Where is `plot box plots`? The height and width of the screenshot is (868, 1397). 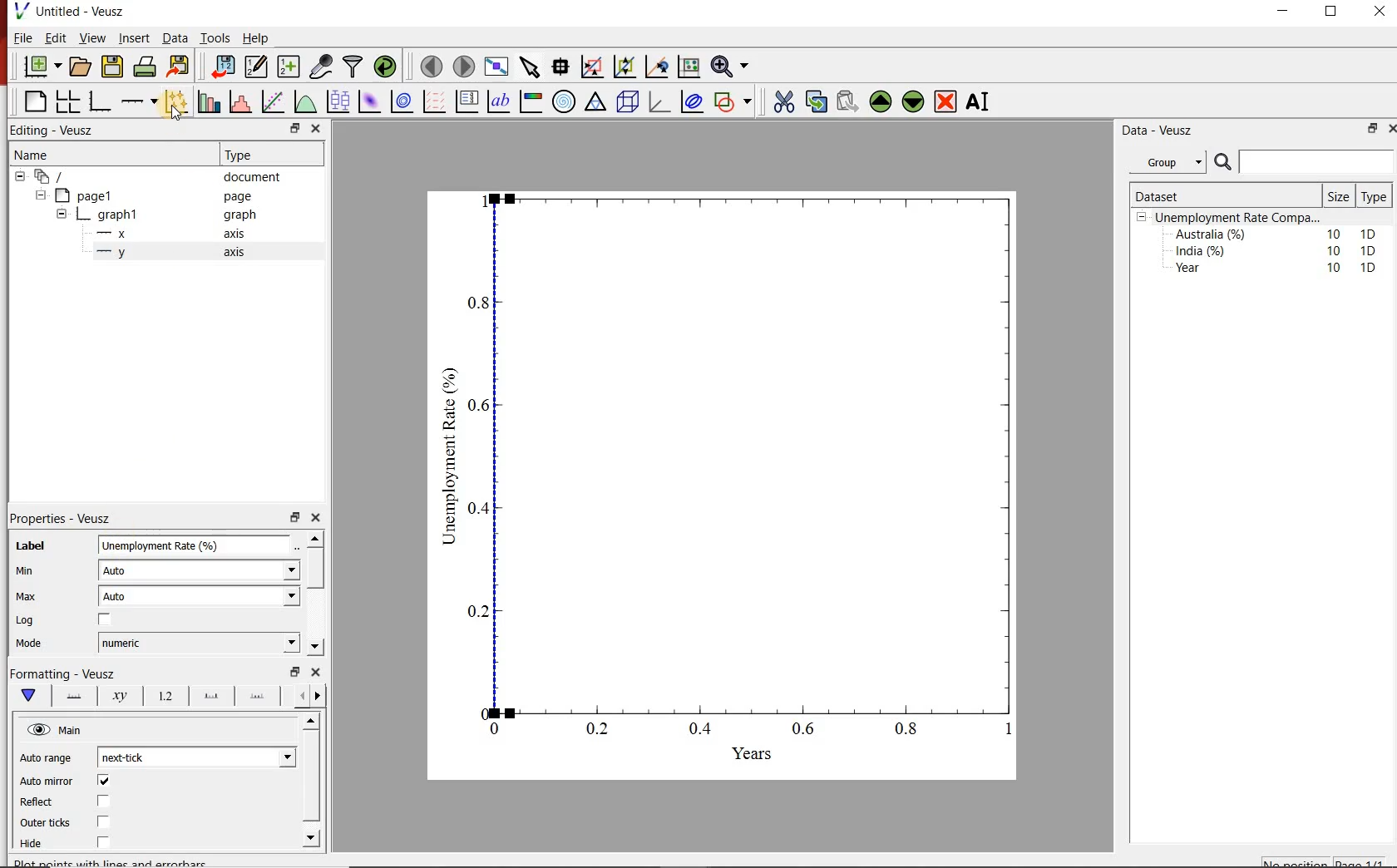 plot box plots is located at coordinates (338, 101).